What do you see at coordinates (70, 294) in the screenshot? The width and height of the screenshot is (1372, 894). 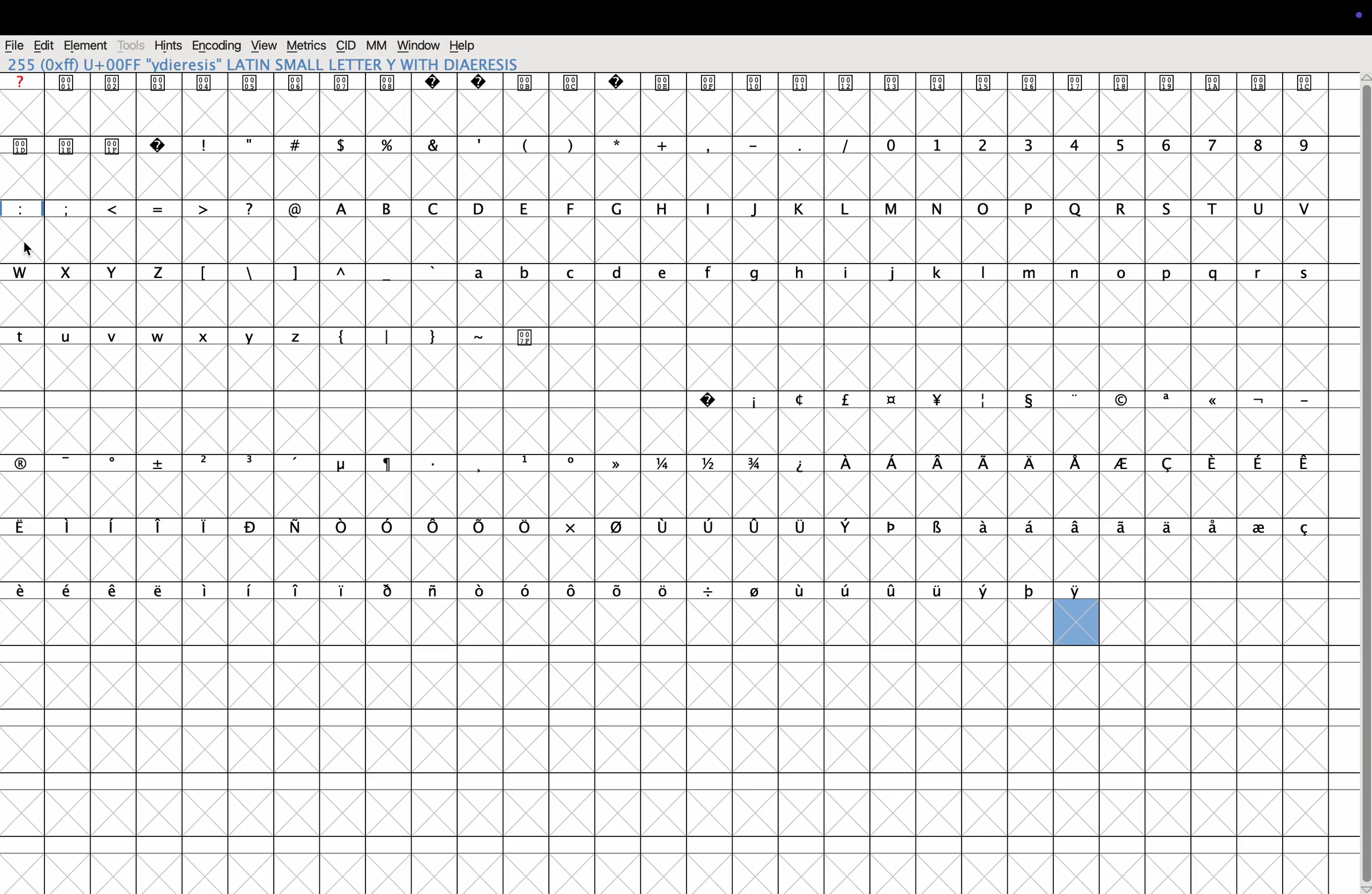 I see `` at bounding box center [70, 294].